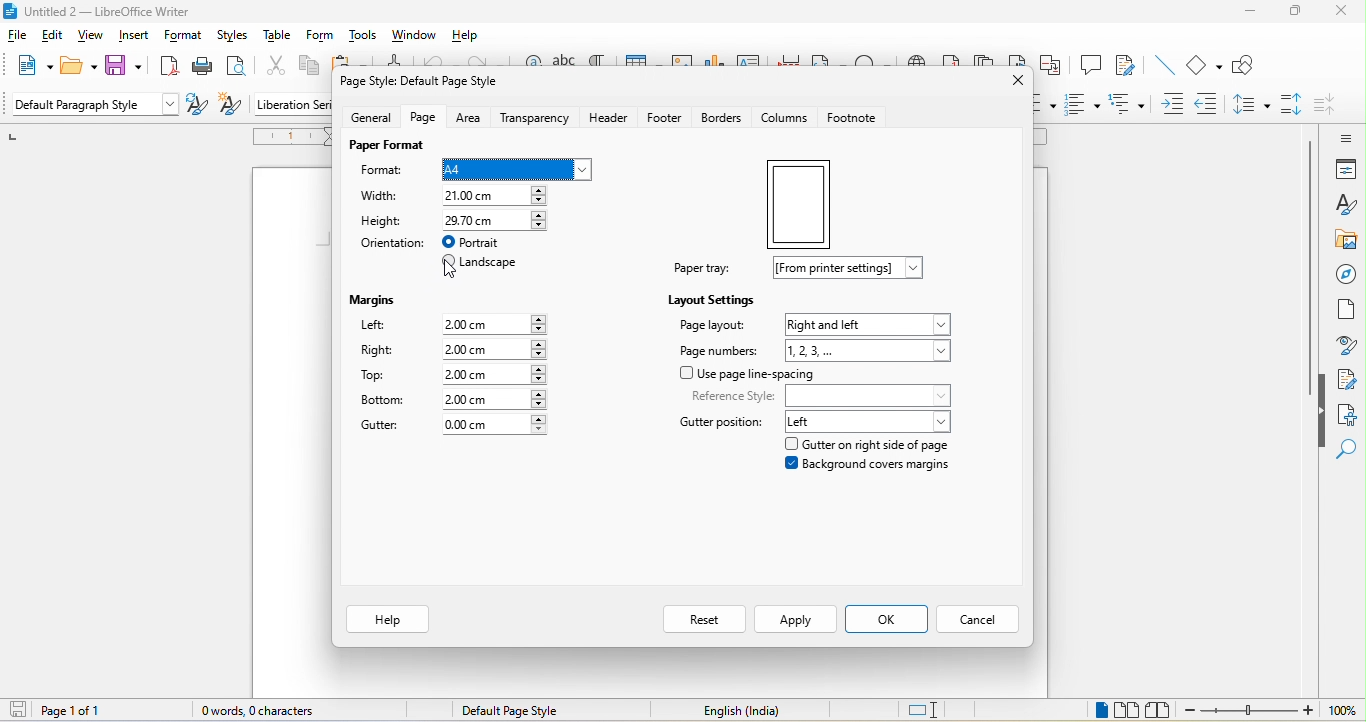 This screenshot has width=1366, height=722. I want to click on paper tray, so click(705, 268).